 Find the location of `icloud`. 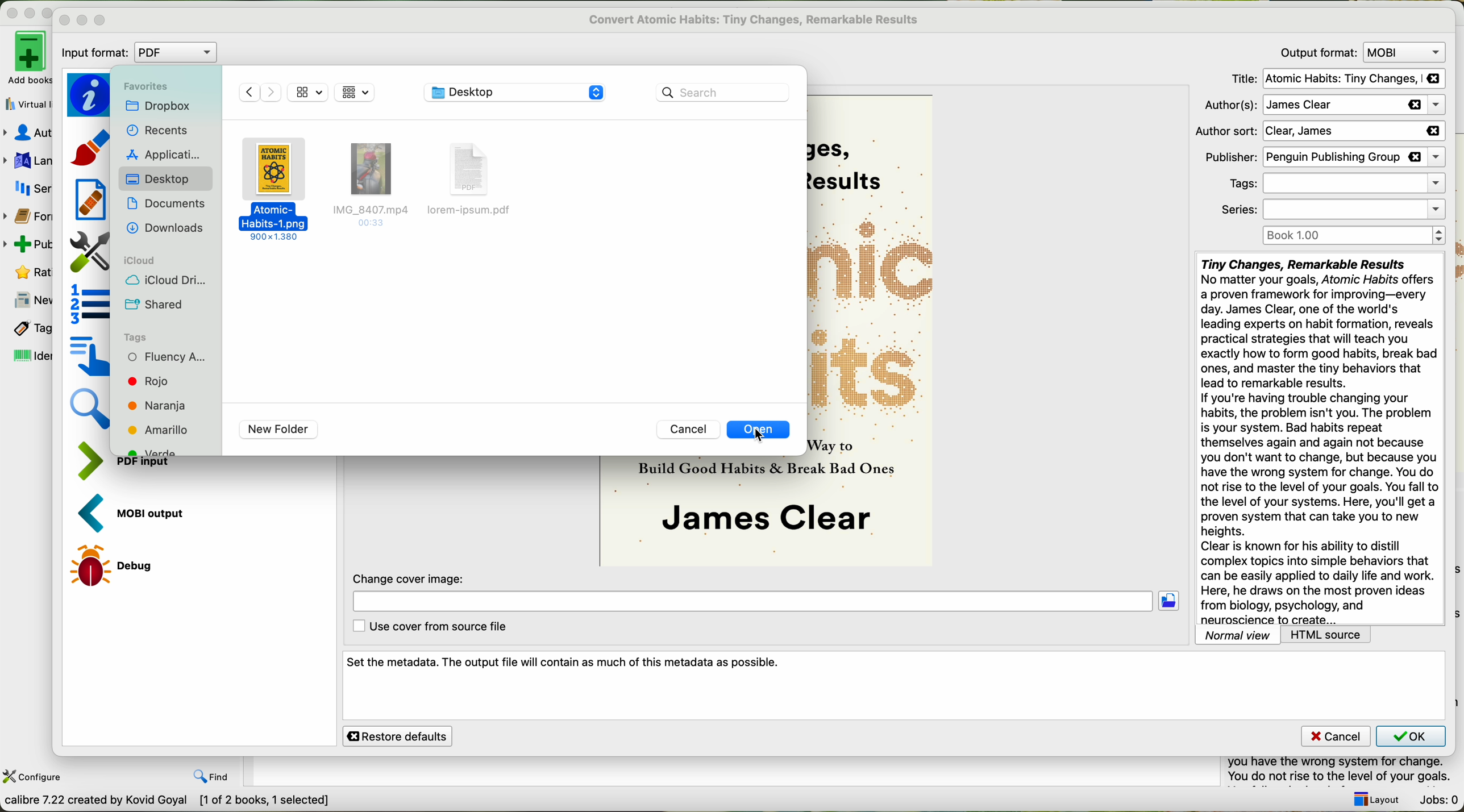

icloud is located at coordinates (143, 260).